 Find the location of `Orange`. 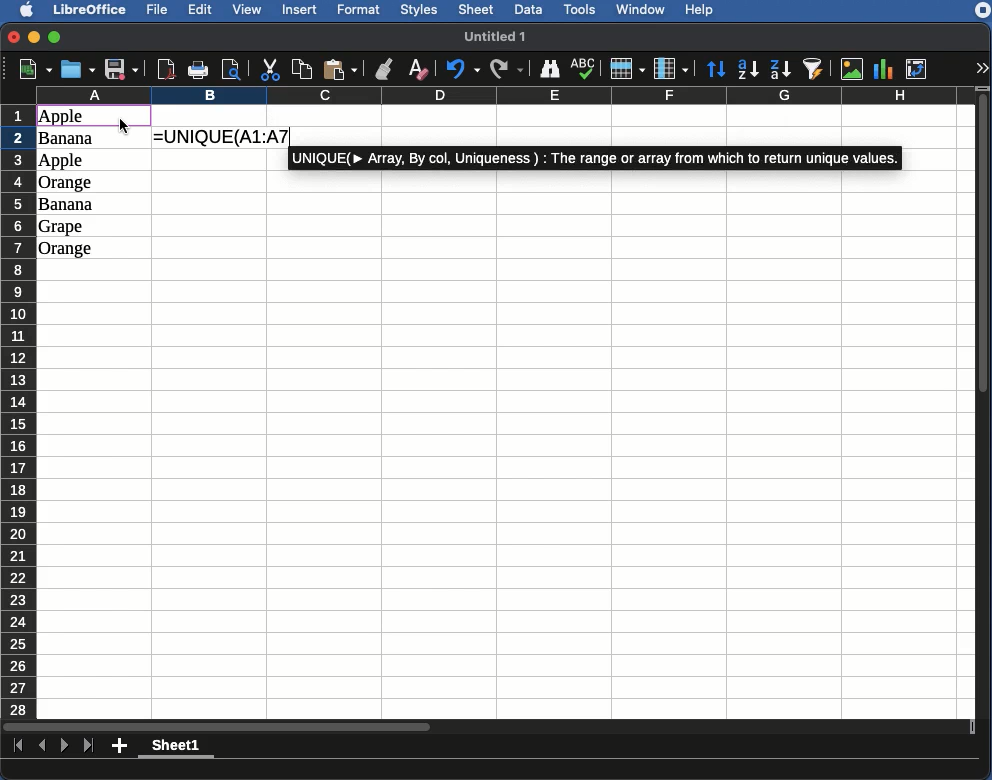

Orange is located at coordinates (66, 249).